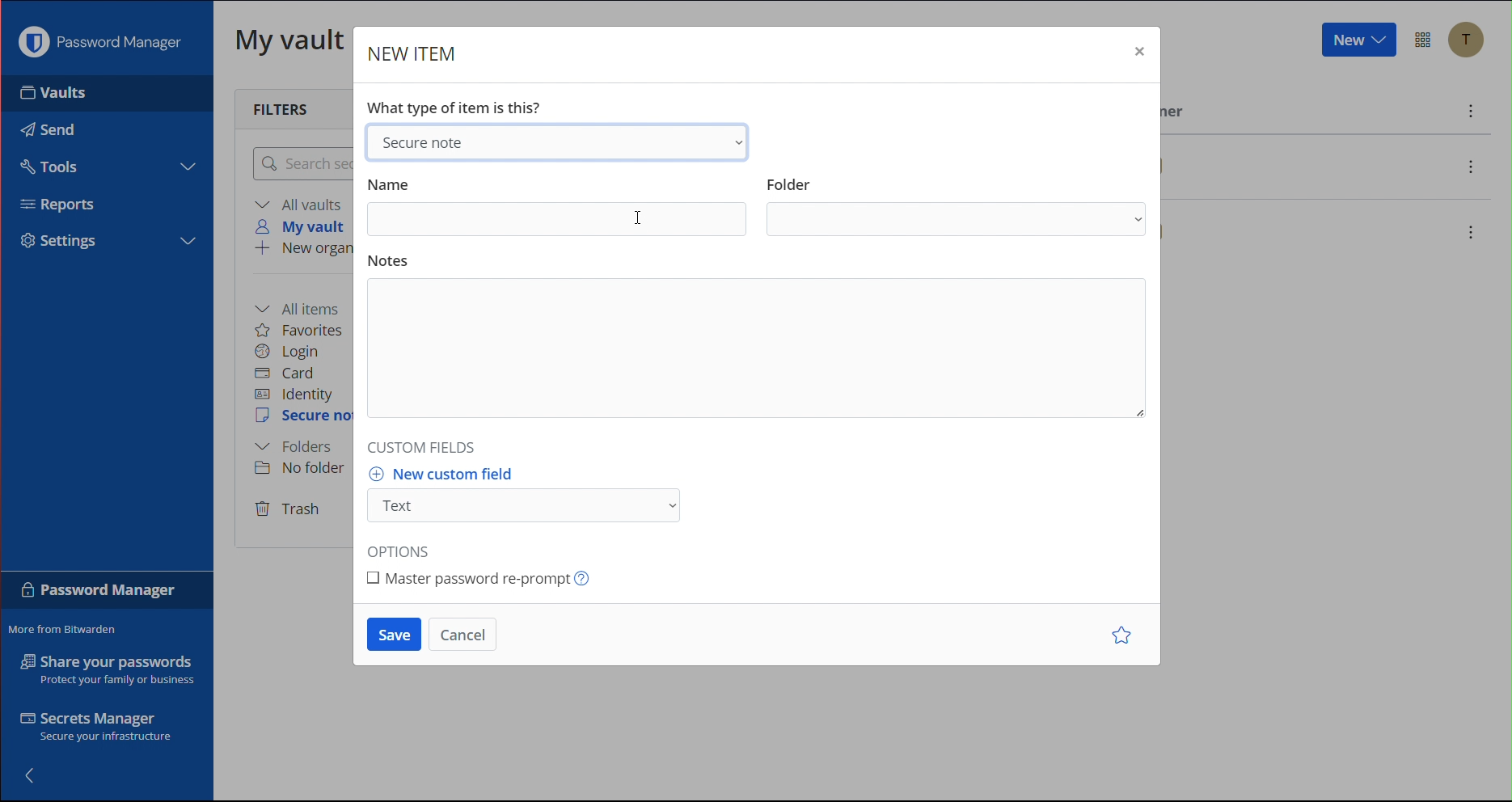 This screenshot has height=802, width=1512. What do you see at coordinates (458, 105) in the screenshot?
I see `What type of item is this?` at bounding box center [458, 105].